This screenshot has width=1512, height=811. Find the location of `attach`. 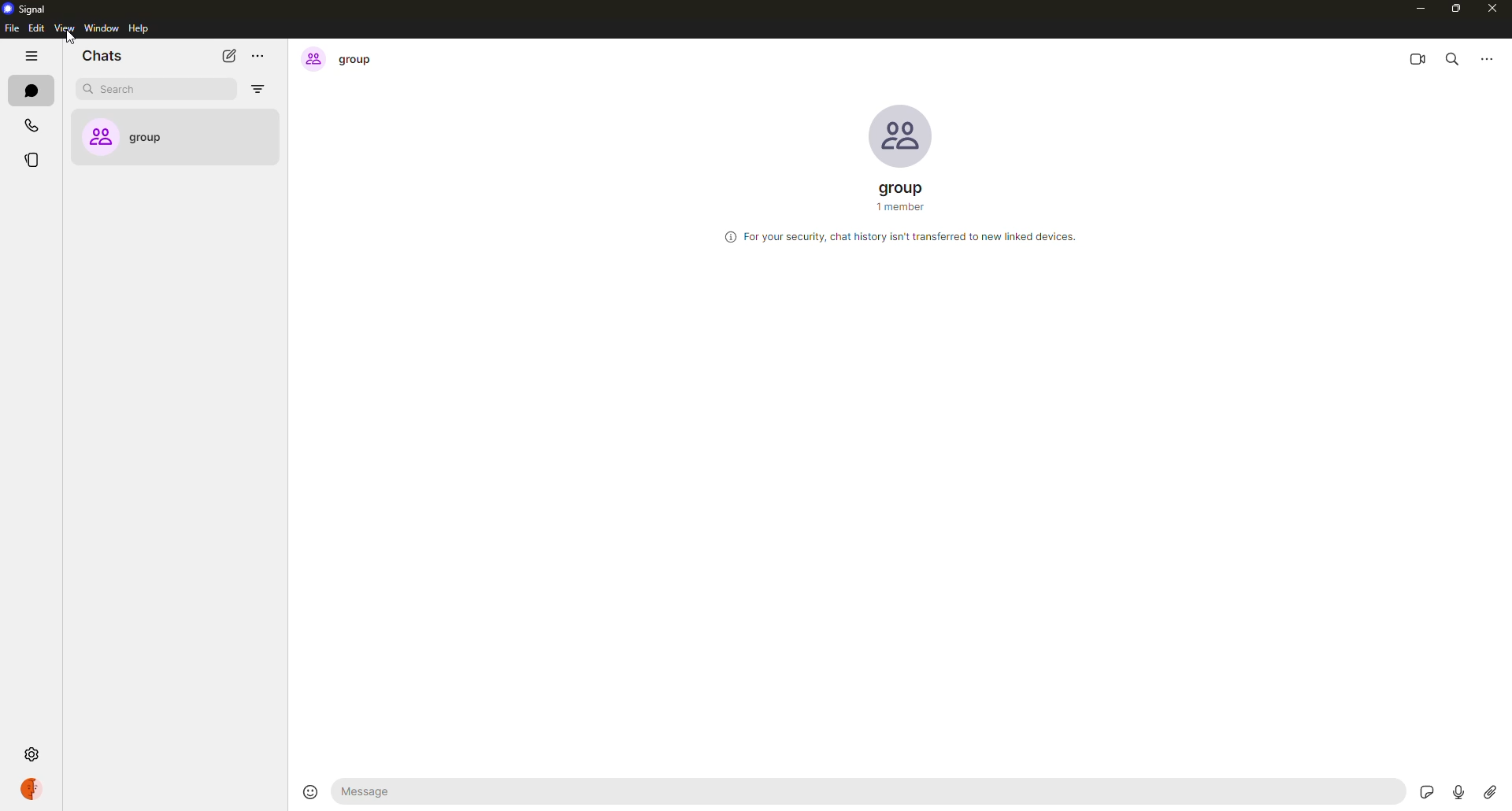

attach is located at coordinates (1489, 792).